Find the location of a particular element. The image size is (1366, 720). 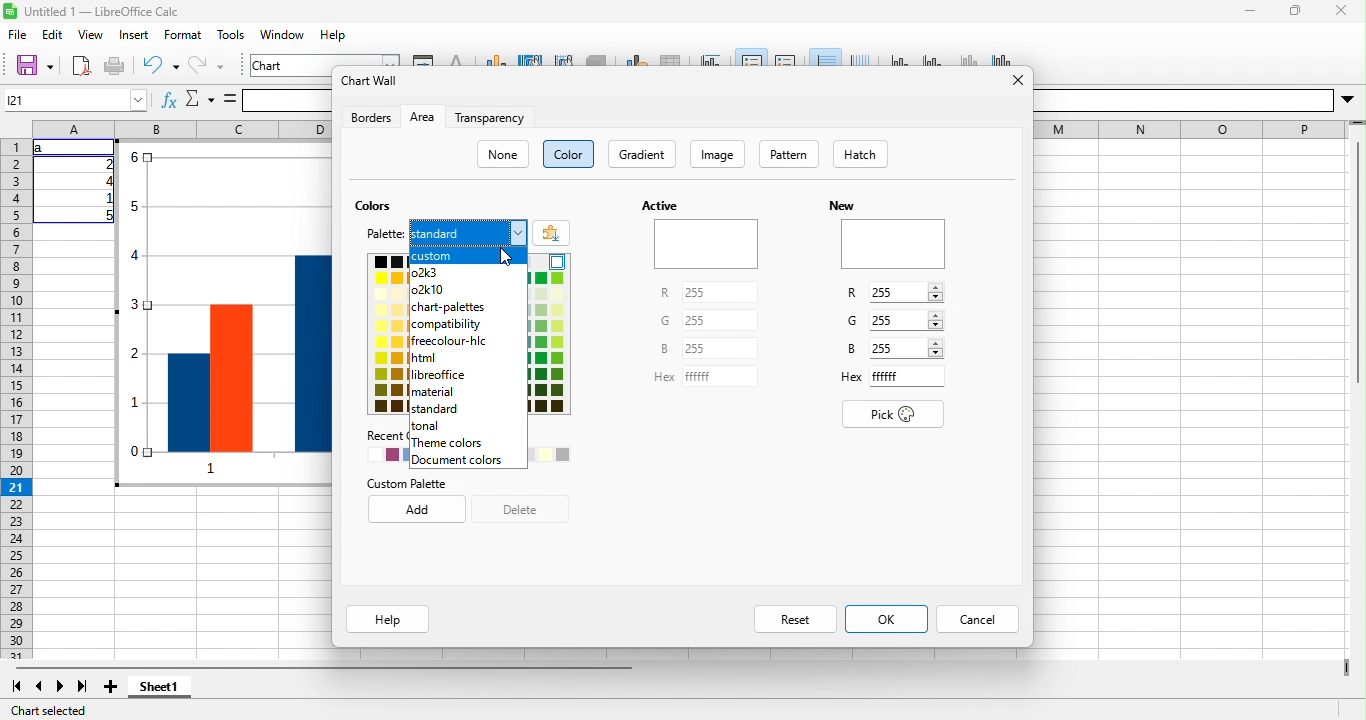

close is located at coordinates (1341, 11).